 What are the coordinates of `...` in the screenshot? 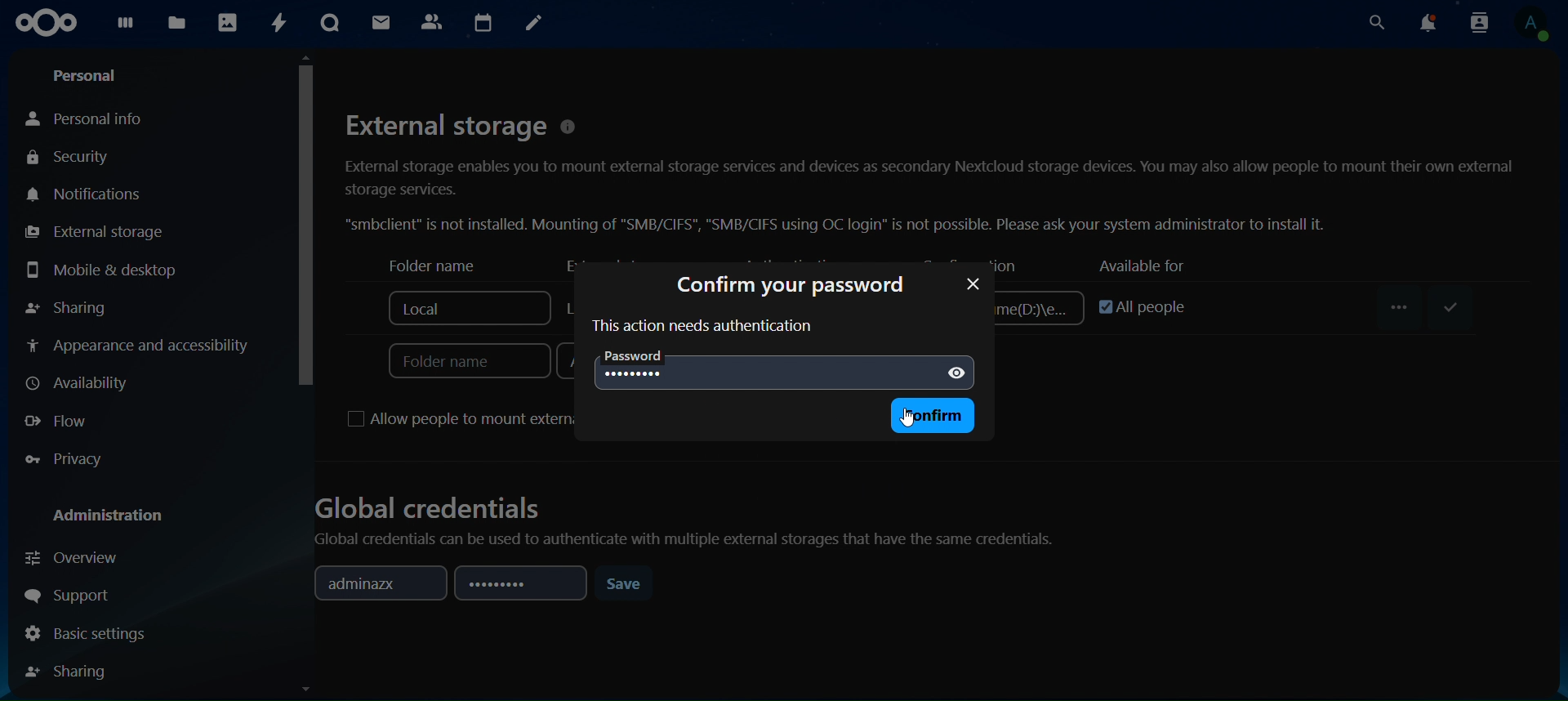 It's located at (1402, 307).